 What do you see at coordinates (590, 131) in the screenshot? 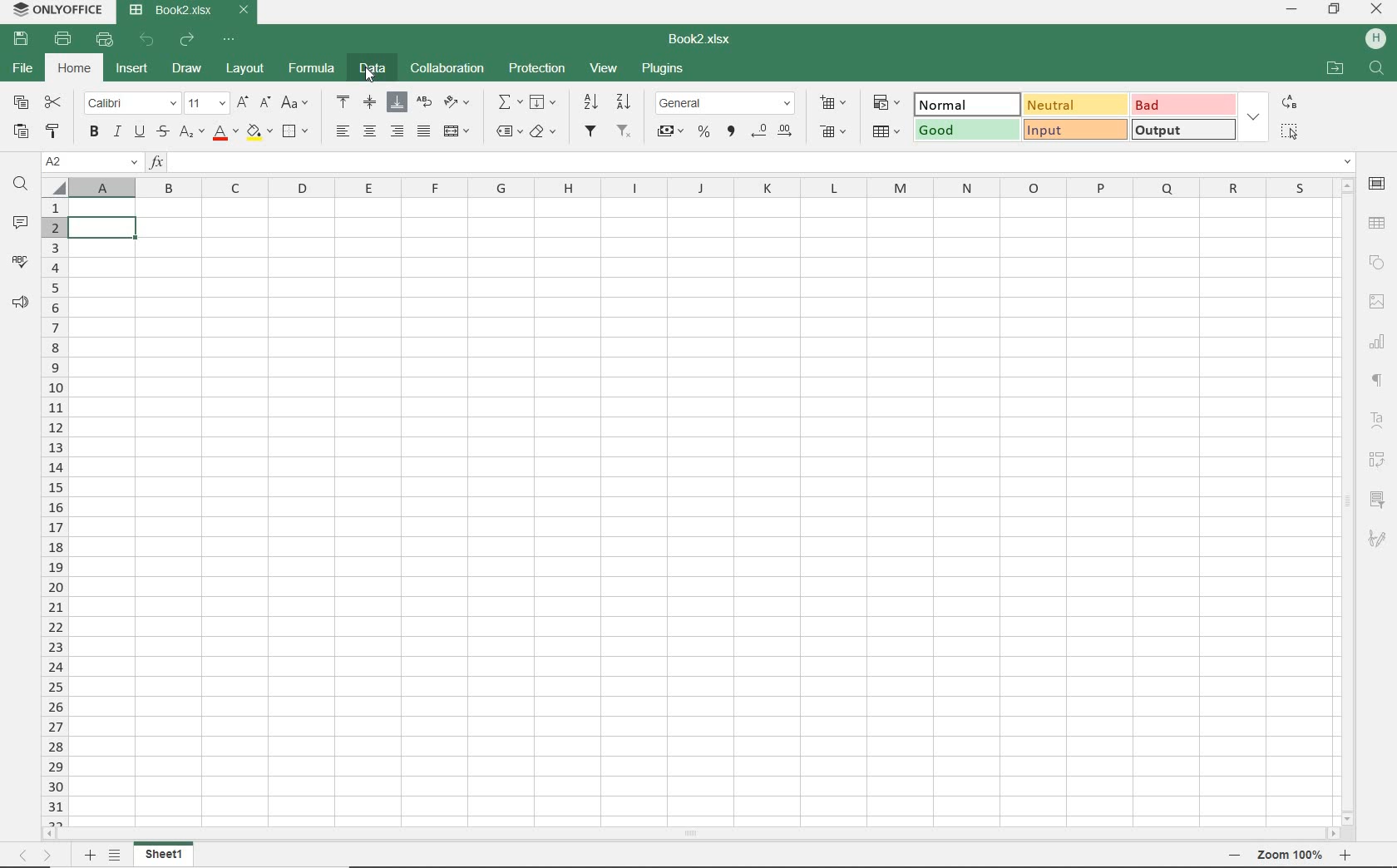
I see `FILTER` at bounding box center [590, 131].